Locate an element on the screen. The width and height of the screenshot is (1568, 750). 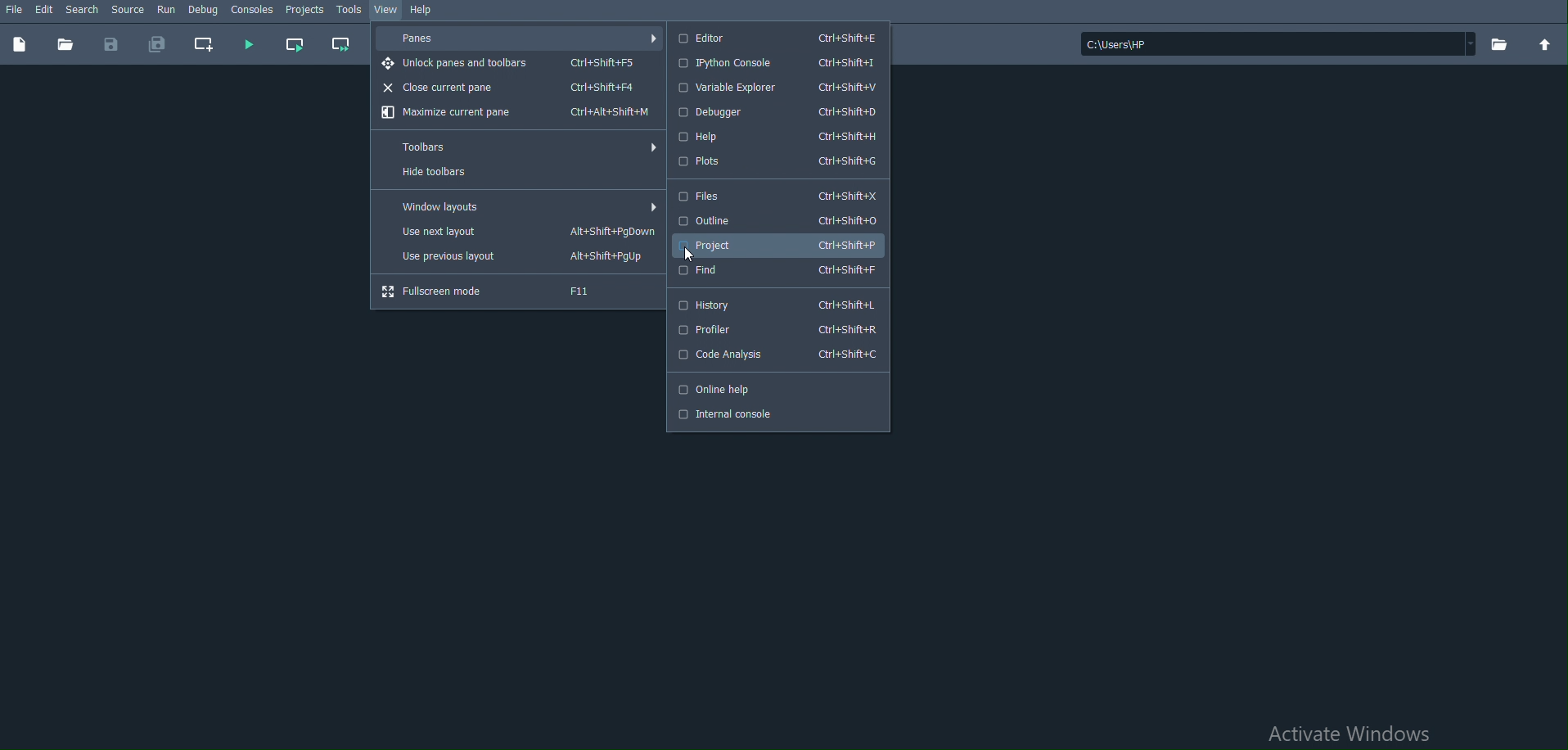
Panes is located at coordinates (517, 38).